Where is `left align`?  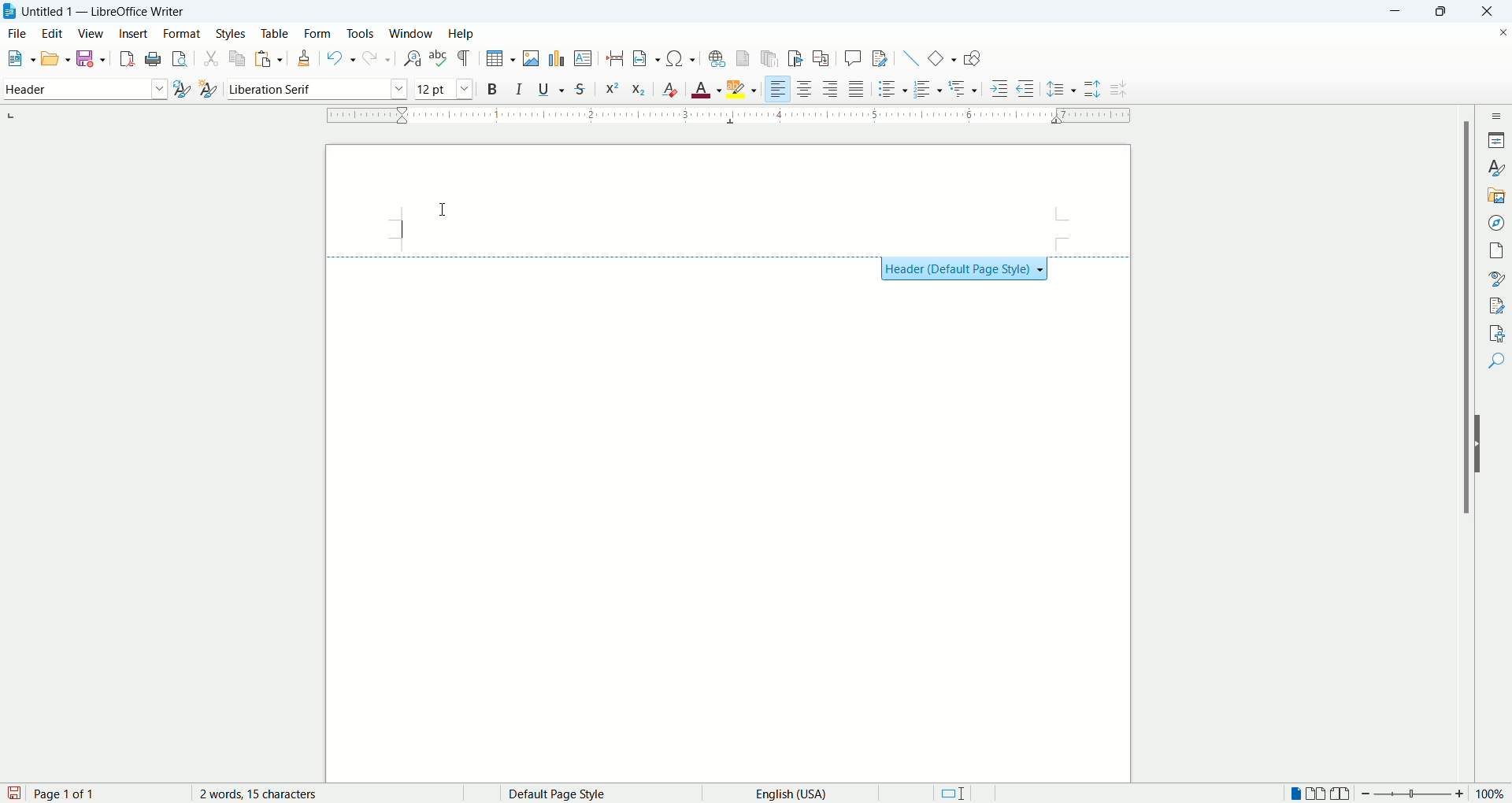 left align is located at coordinates (776, 87).